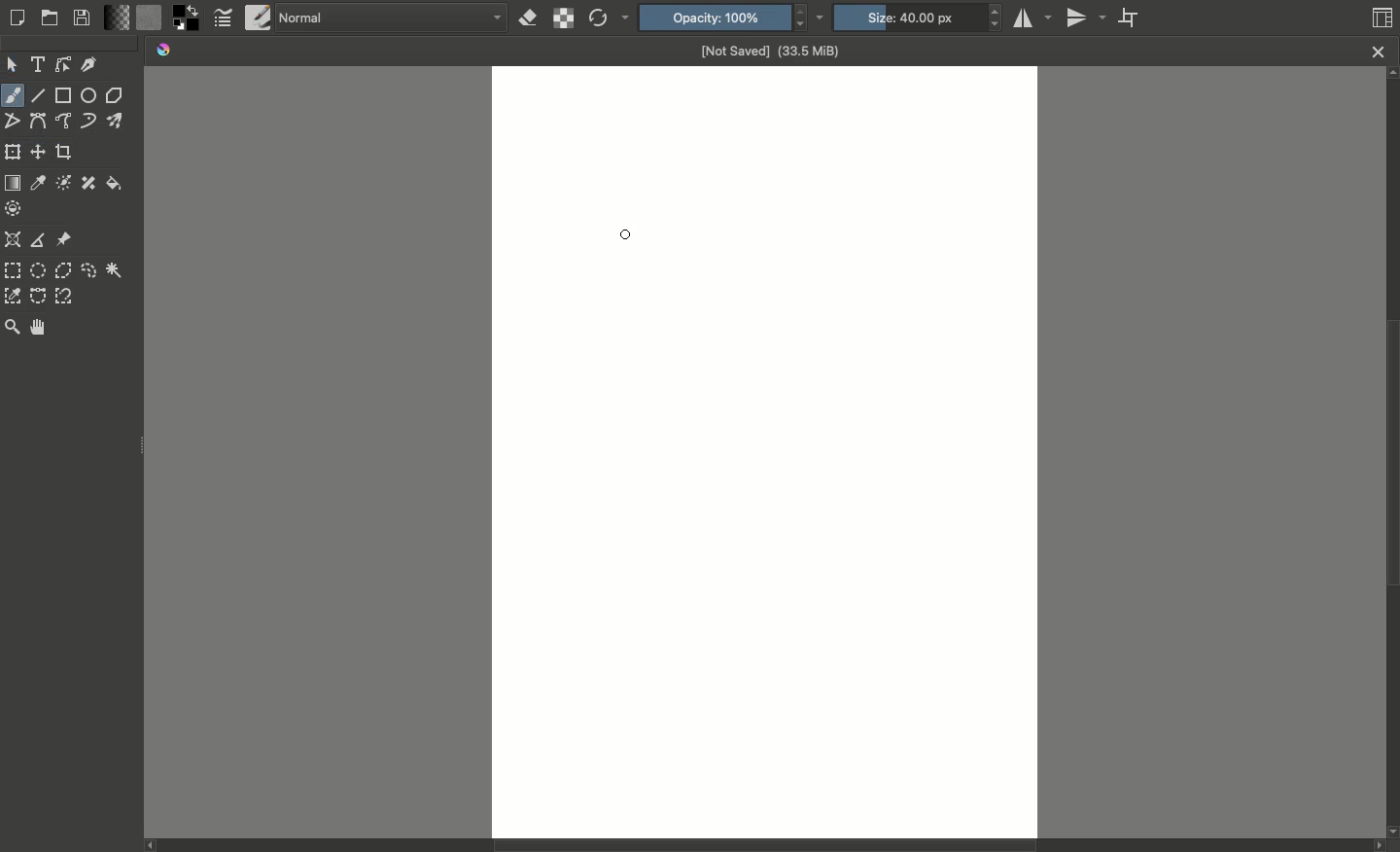 The image size is (1400, 852). What do you see at coordinates (391, 19) in the screenshot?
I see `Normal` at bounding box center [391, 19].